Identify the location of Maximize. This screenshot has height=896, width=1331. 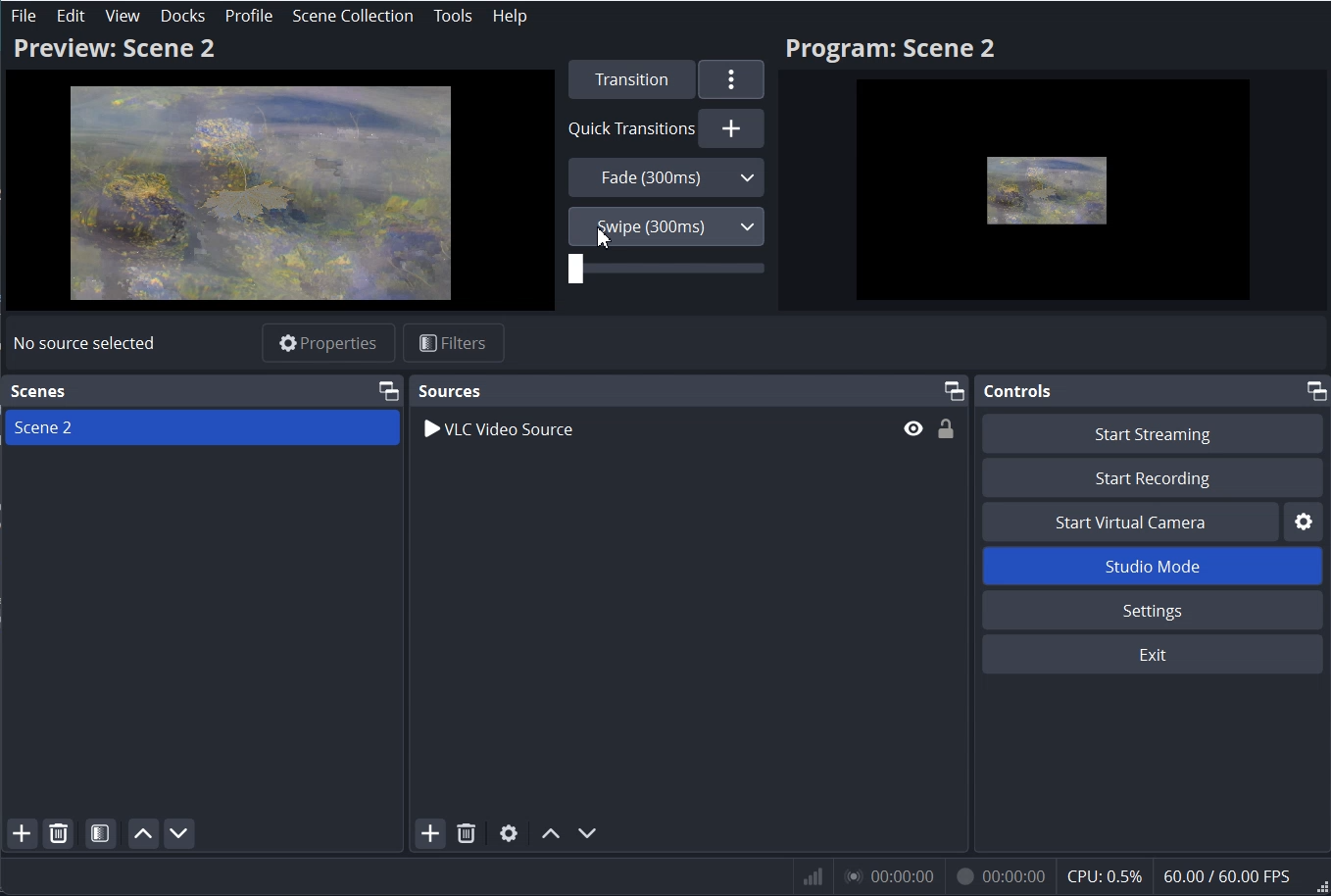
(388, 389).